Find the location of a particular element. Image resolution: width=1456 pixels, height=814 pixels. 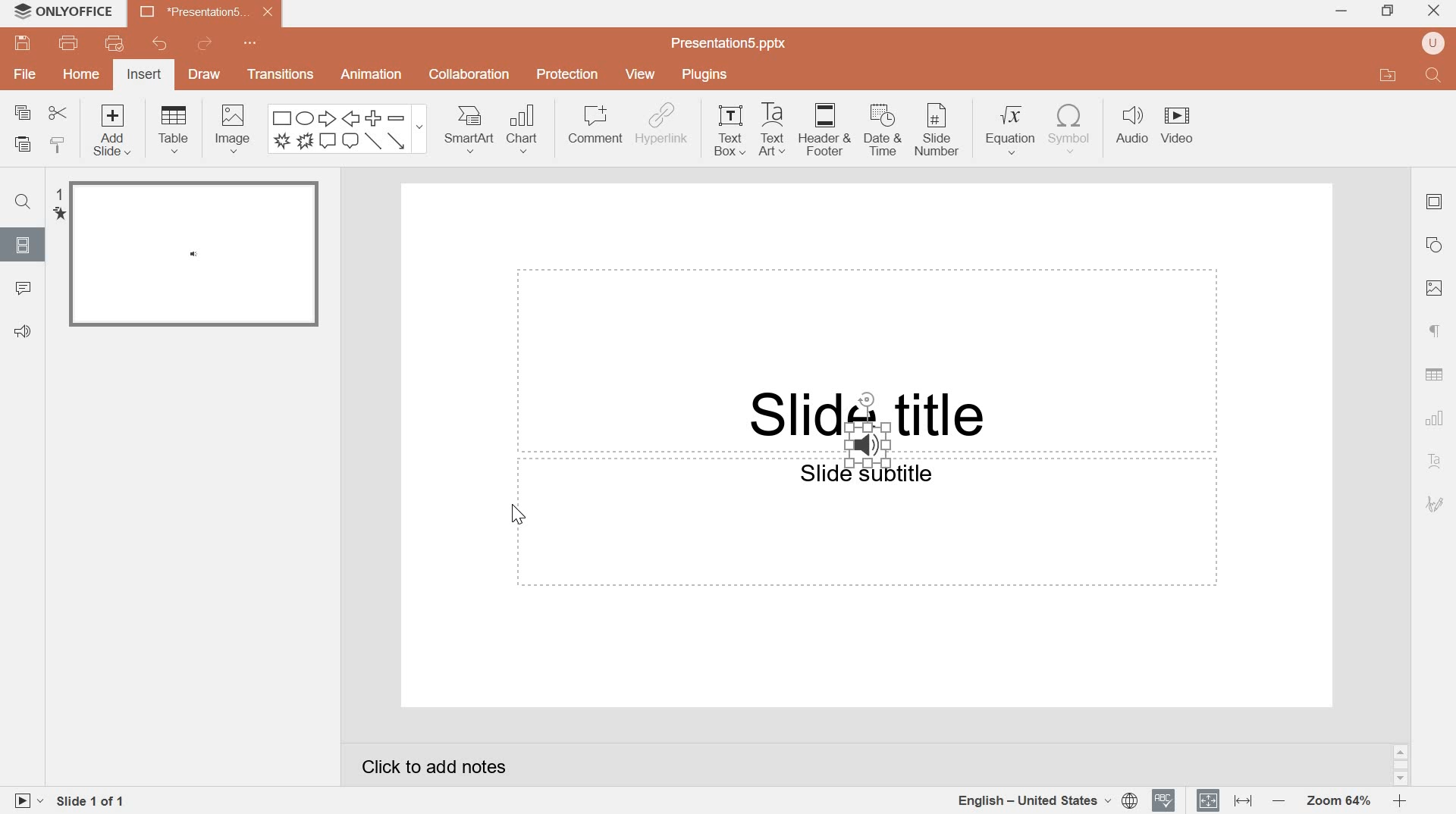

Slide transition - Fade is located at coordinates (194, 255).